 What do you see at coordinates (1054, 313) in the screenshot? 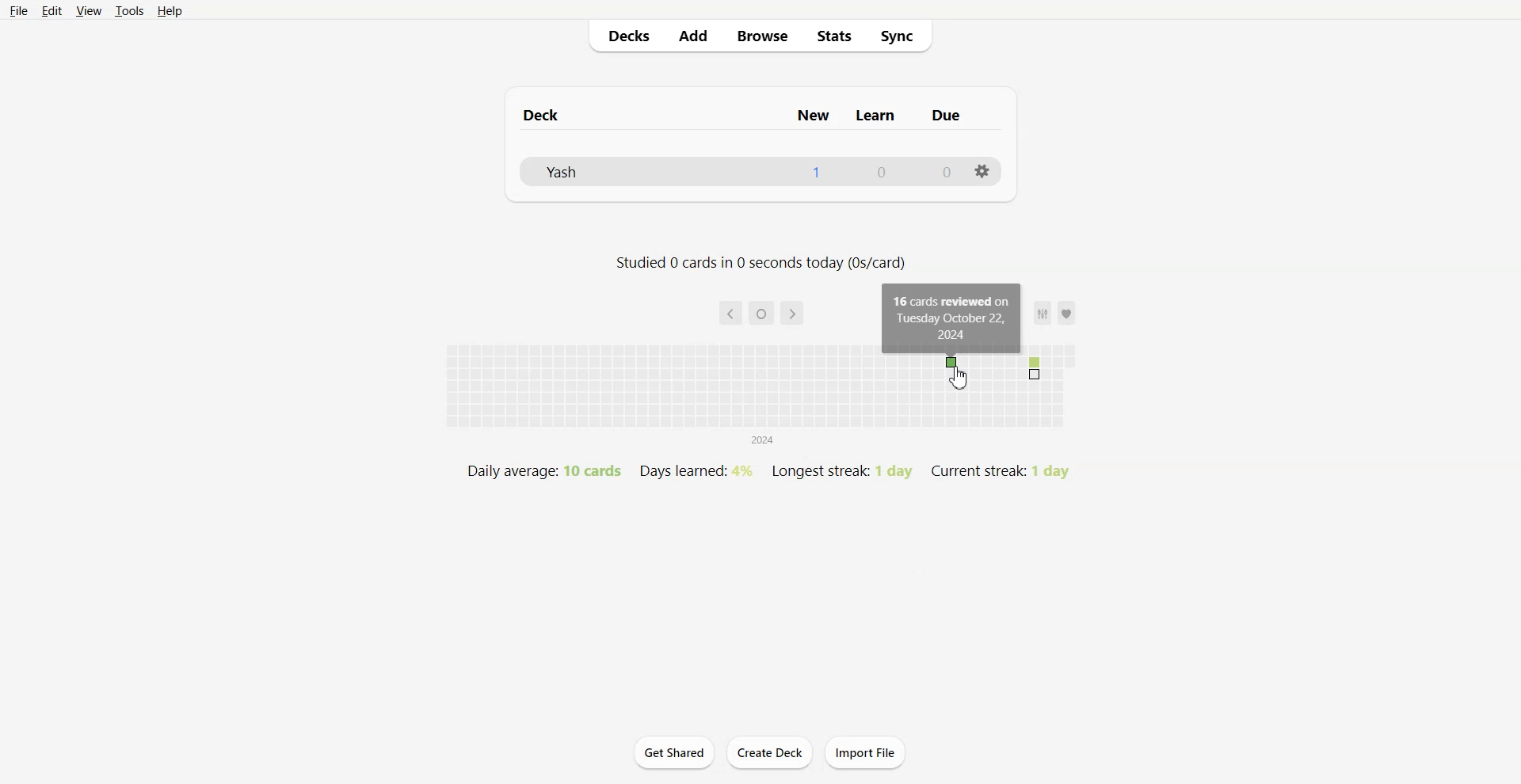
I see `favorites` at bounding box center [1054, 313].